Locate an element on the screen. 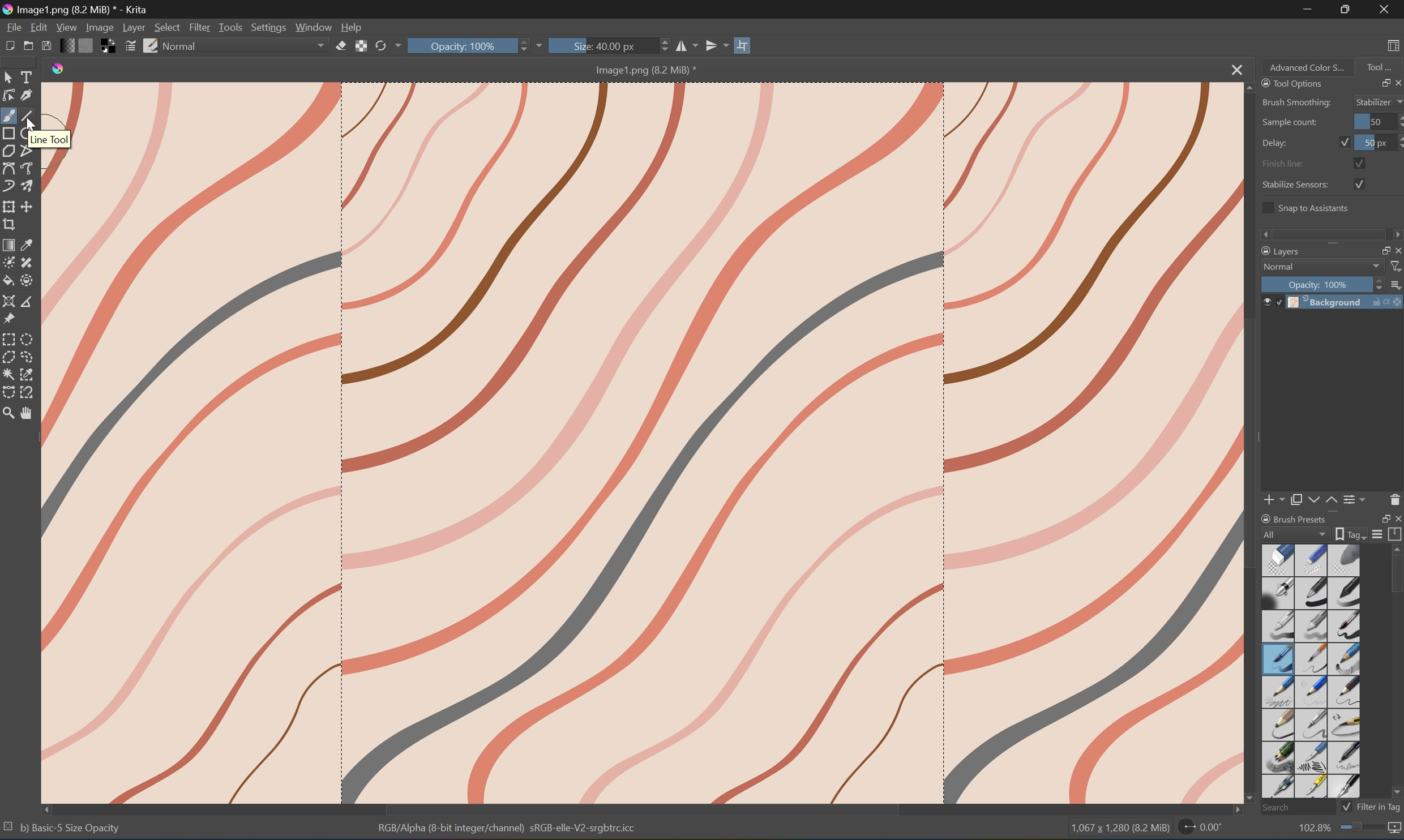  Polygon tool is located at coordinates (11, 151).